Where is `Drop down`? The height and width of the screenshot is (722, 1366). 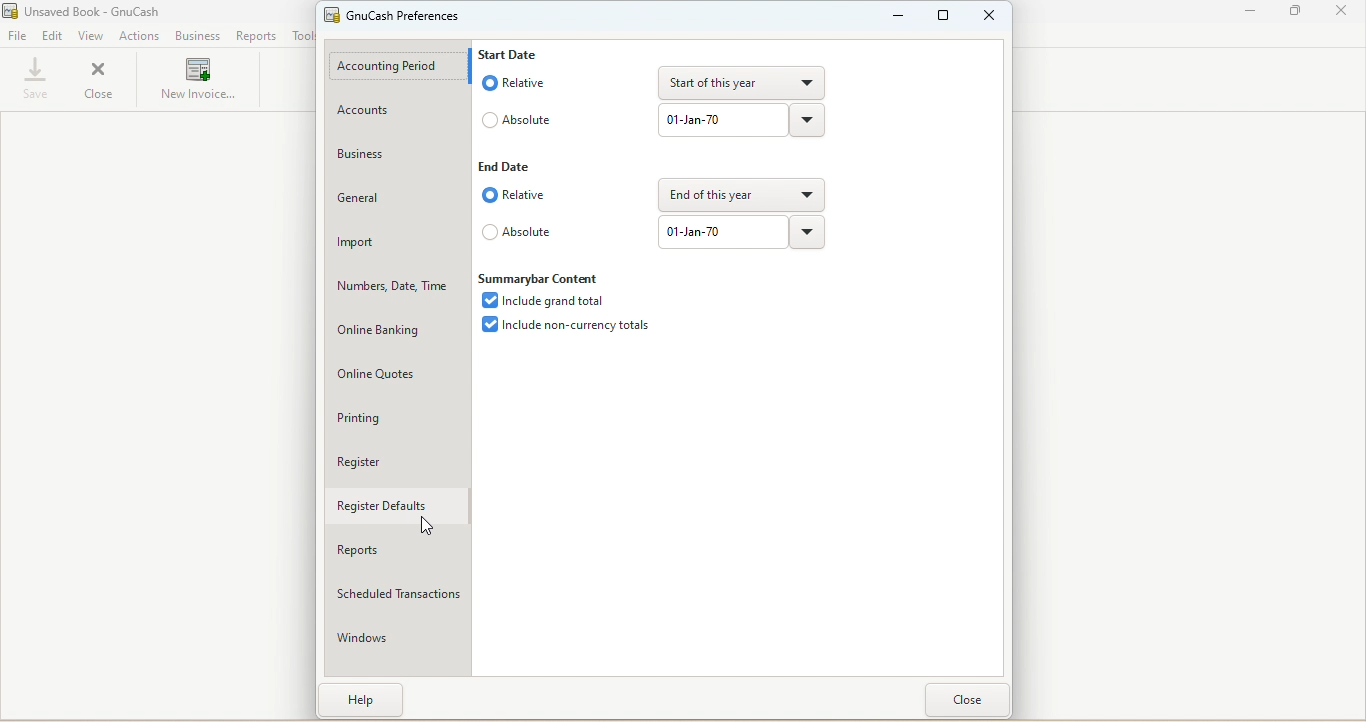
Drop down is located at coordinates (809, 122).